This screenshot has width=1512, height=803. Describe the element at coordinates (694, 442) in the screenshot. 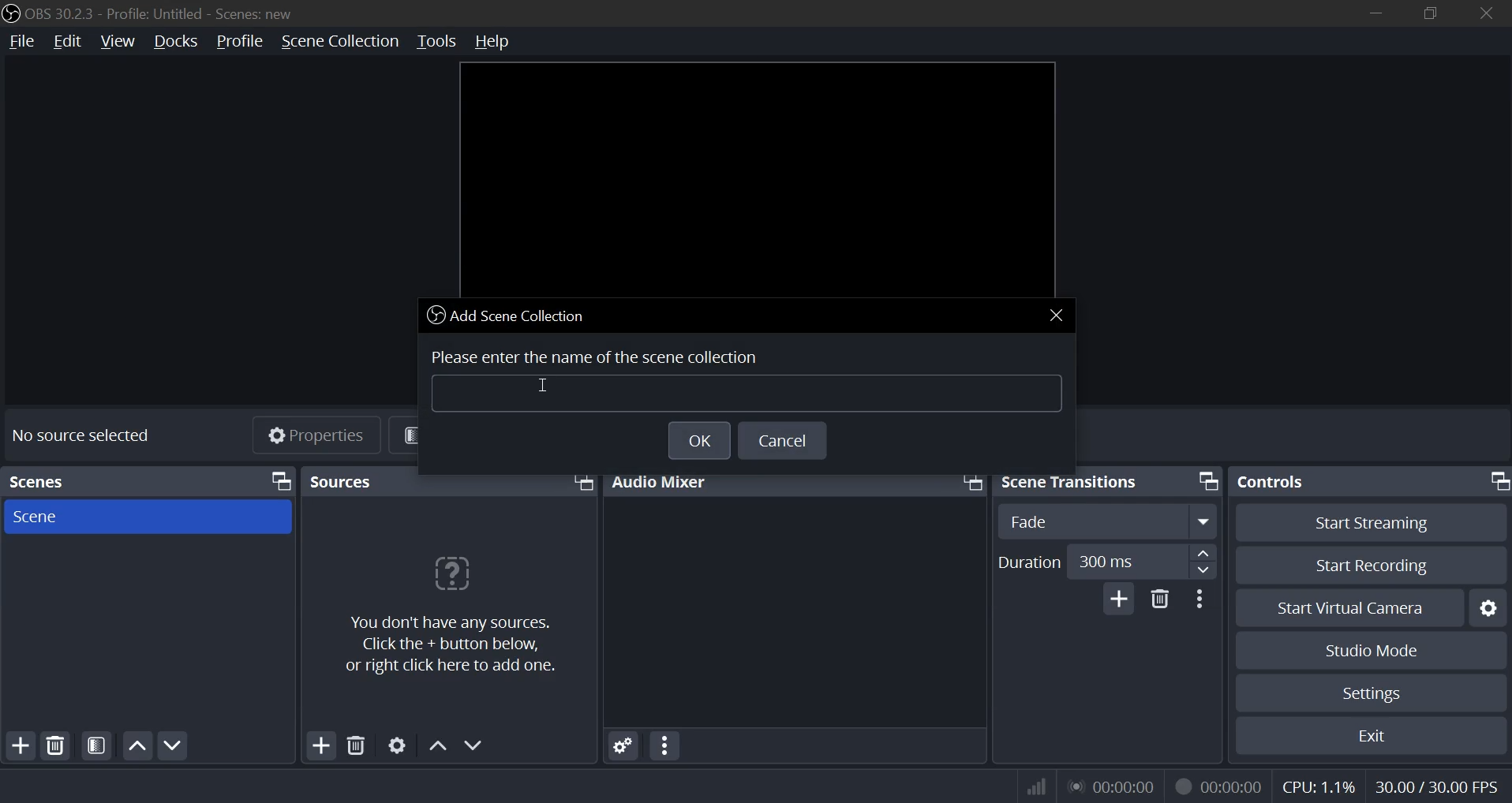

I see `ok` at that location.